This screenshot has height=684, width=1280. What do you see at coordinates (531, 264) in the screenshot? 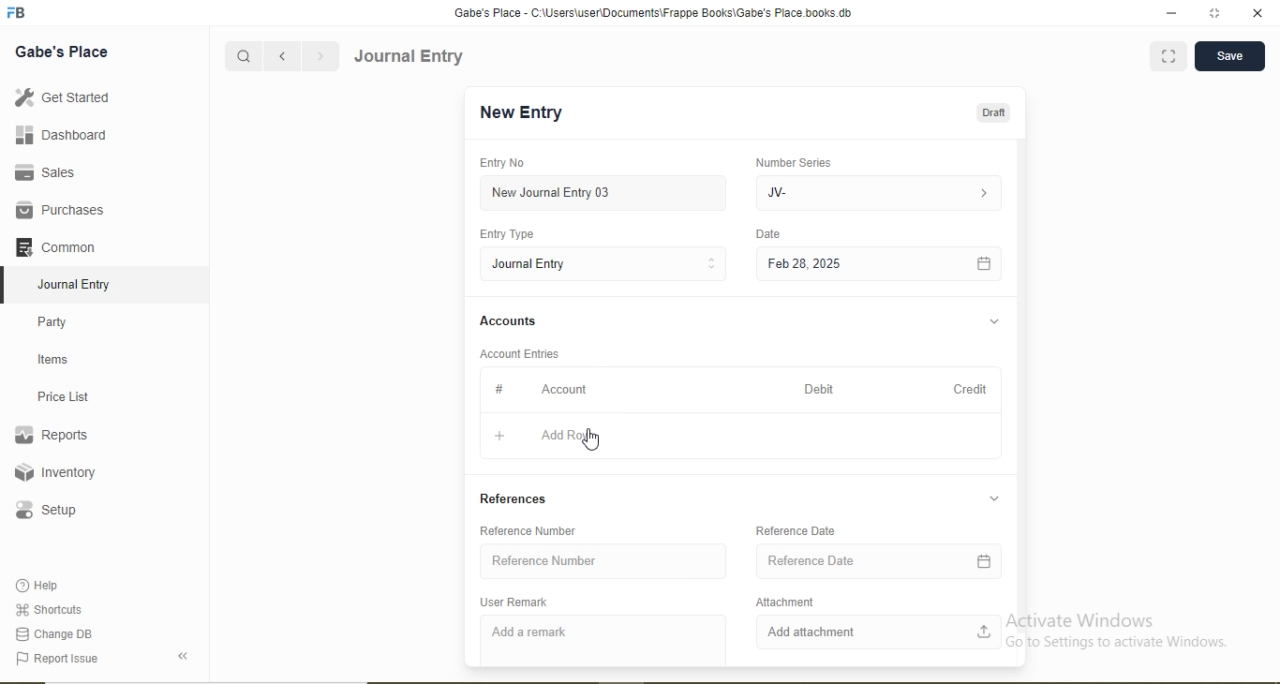
I see `Journal Entry` at bounding box center [531, 264].